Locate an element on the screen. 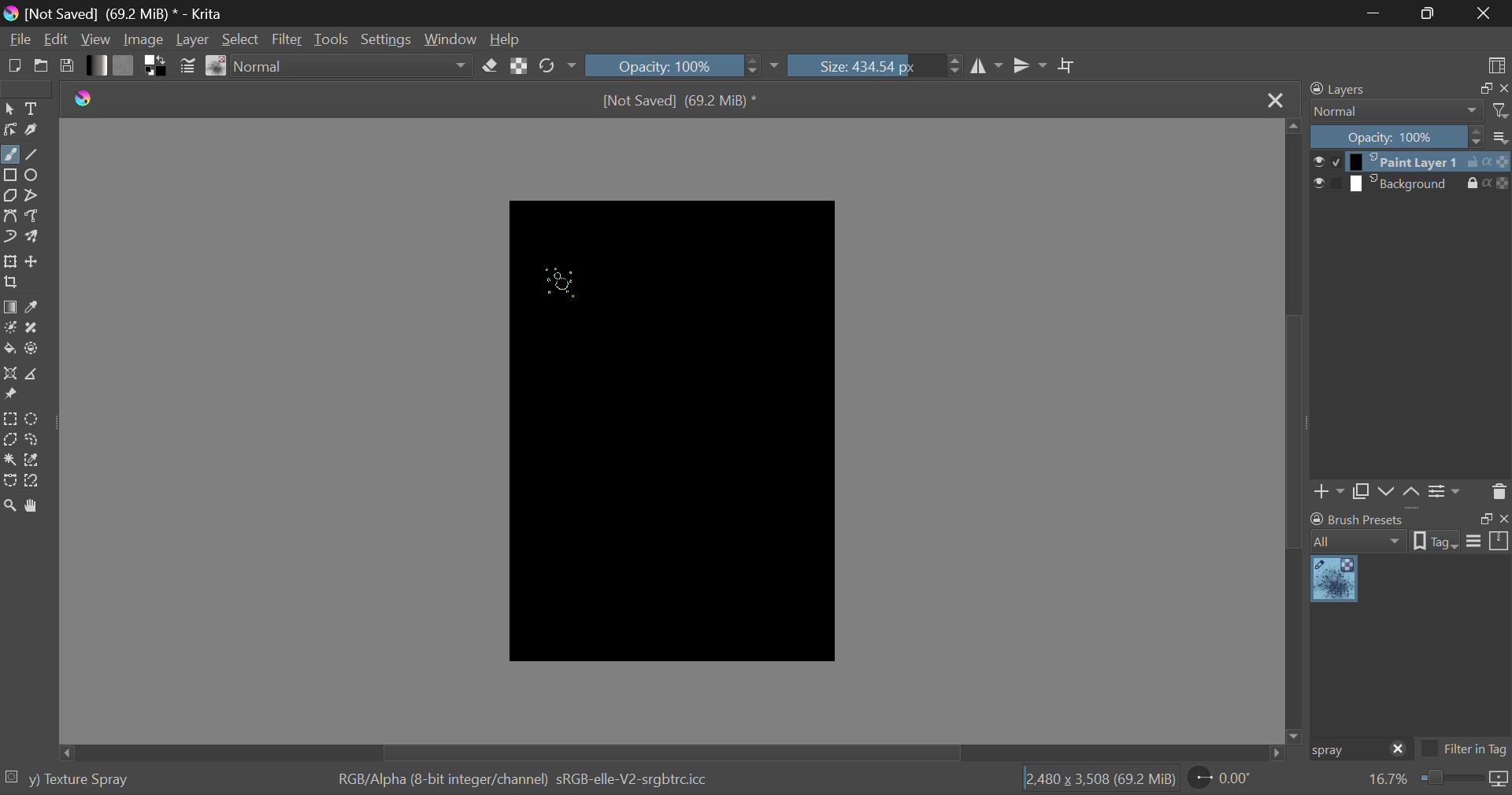 This screenshot has height=795, width=1512. Horizontal Mirror Flip is located at coordinates (1030, 65).